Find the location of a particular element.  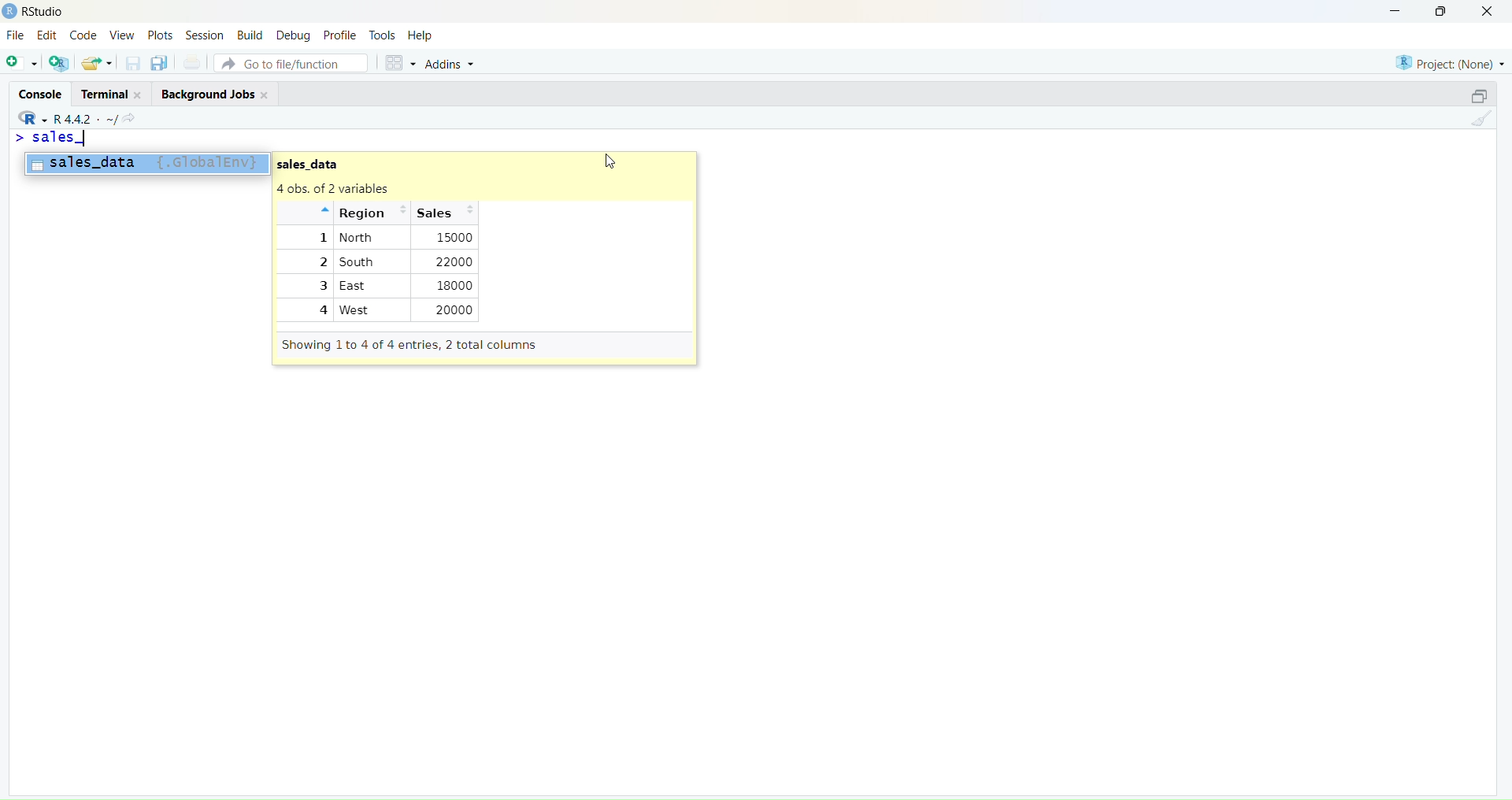

Go to file/function is located at coordinates (290, 62).